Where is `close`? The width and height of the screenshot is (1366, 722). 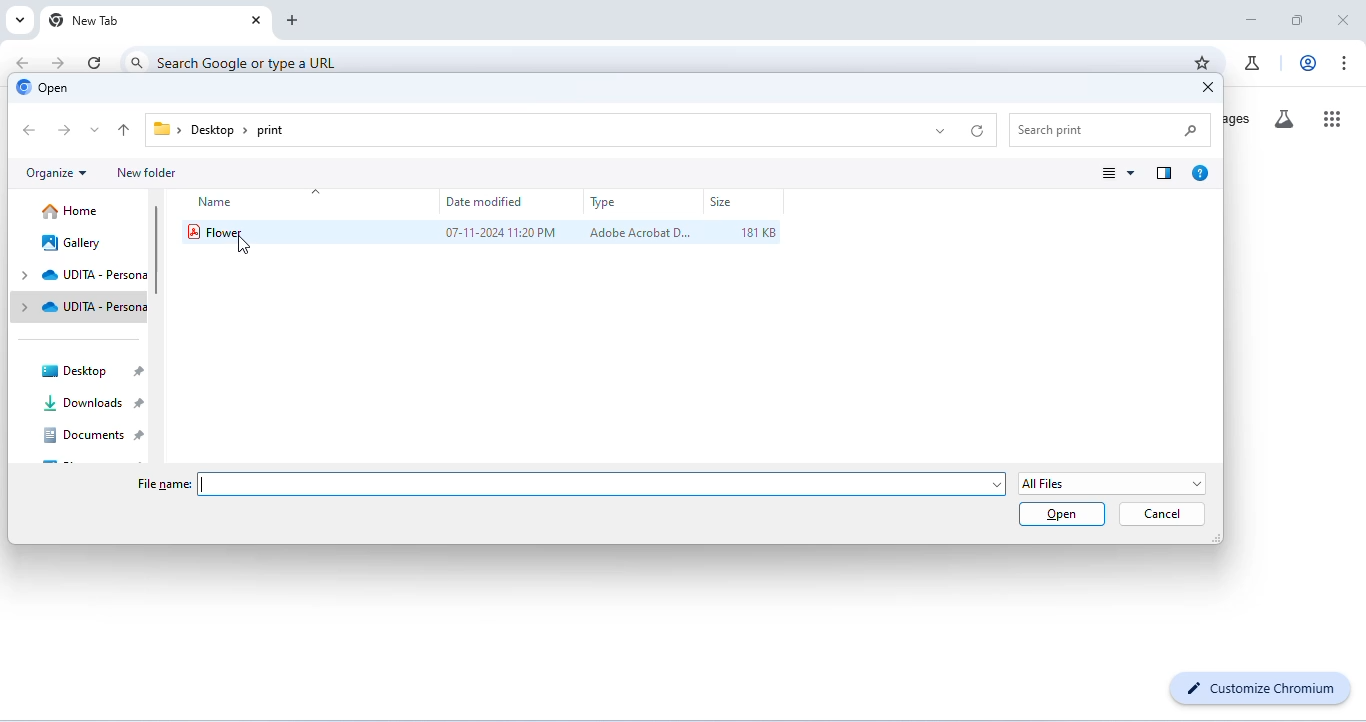
close is located at coordinates (1345, 19).